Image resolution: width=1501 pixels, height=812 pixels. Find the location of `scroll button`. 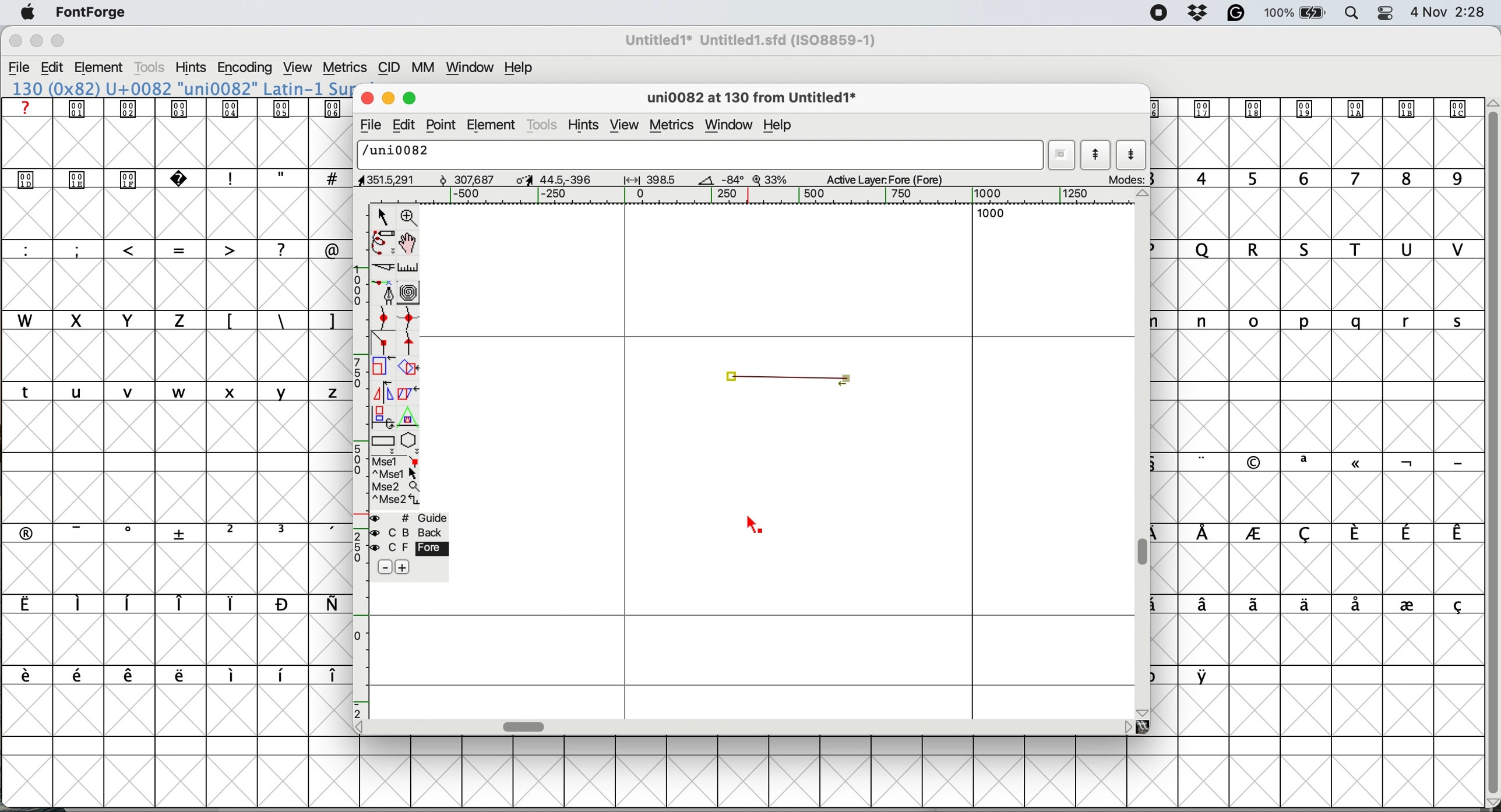

scroll button is located at coordinates (1127, 726).